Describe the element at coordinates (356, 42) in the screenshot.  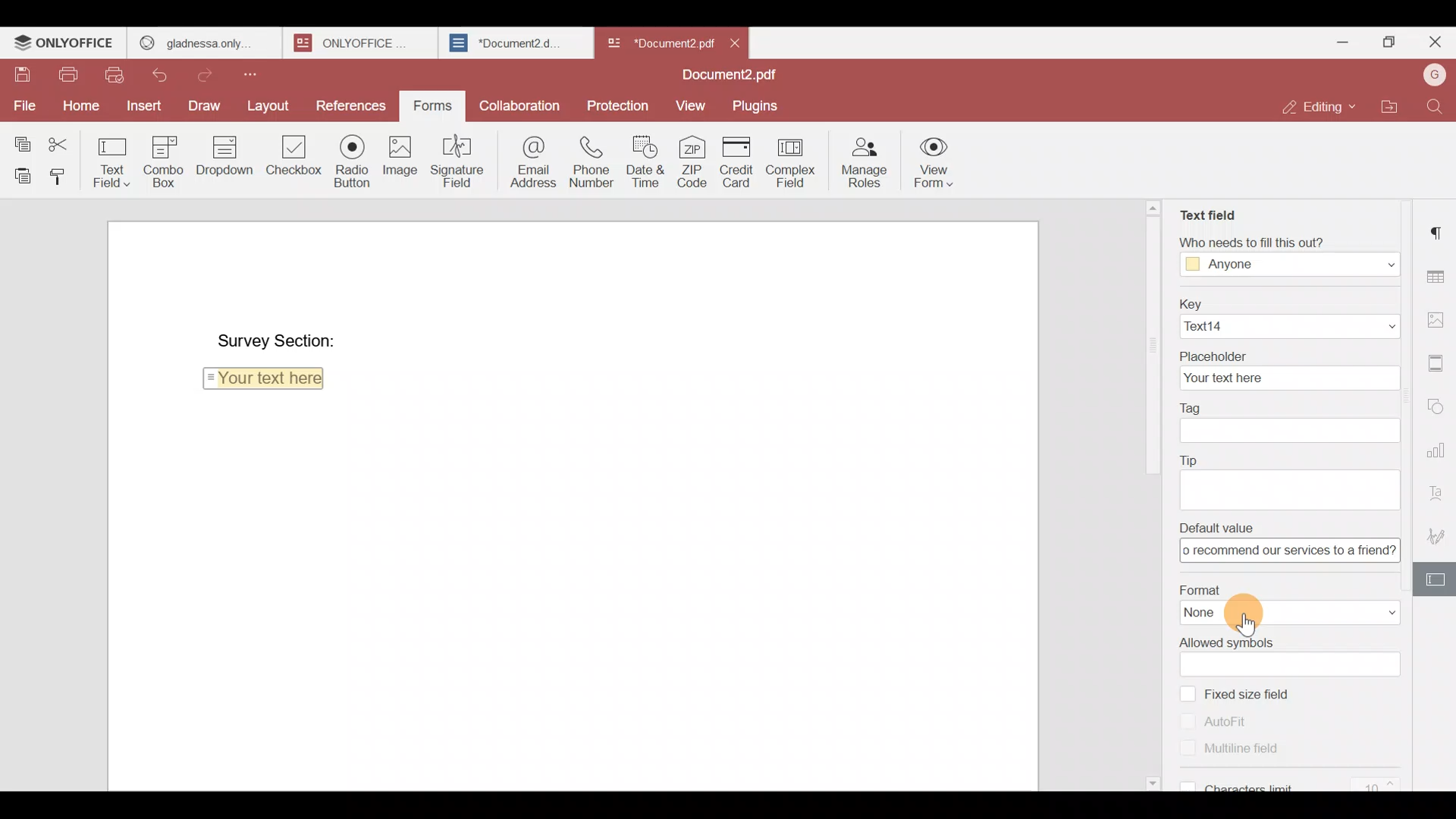
I see `ONLYOFFICE` at that location.